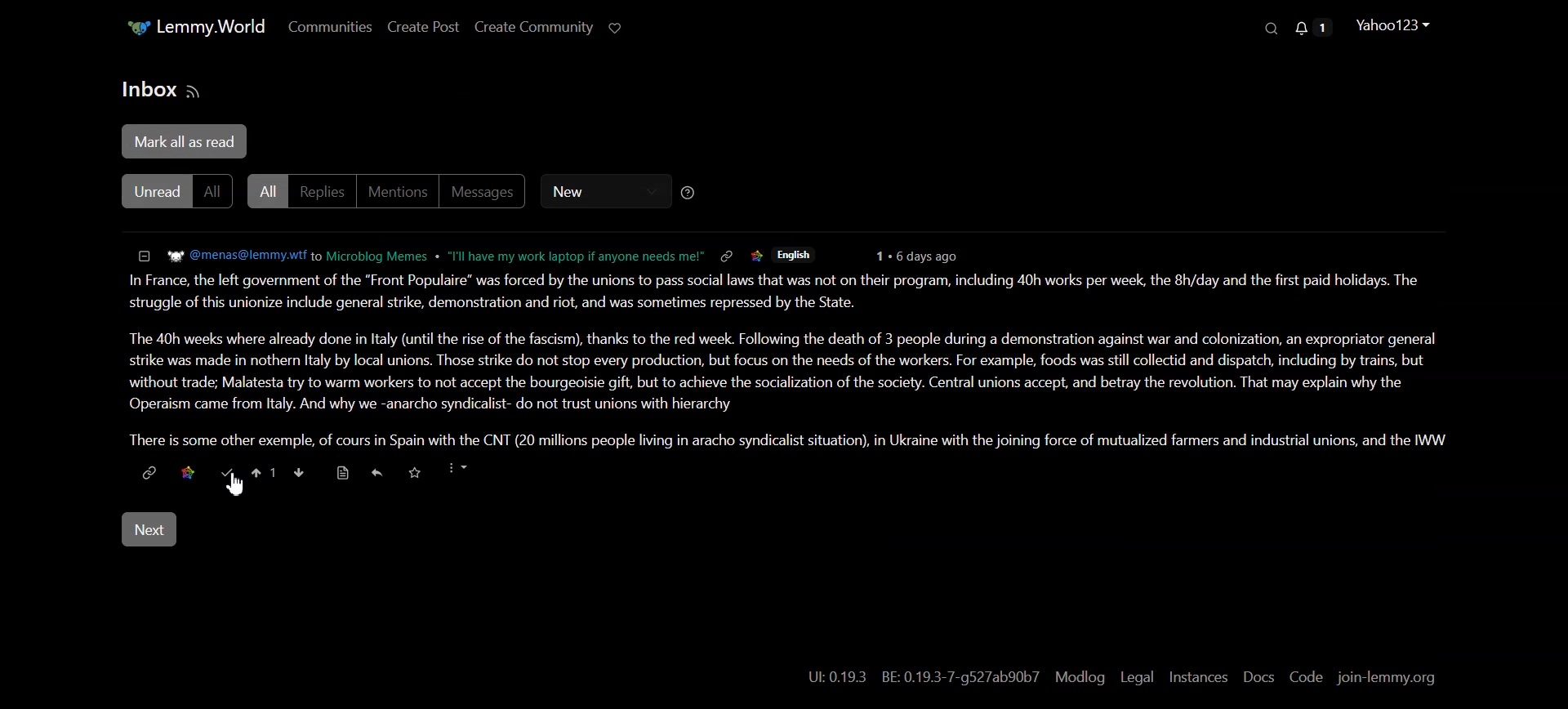  What do you see at coordinates (1306, 28) in the screenshot?
I see `Unread Message` at bounding box center [1306, 28].